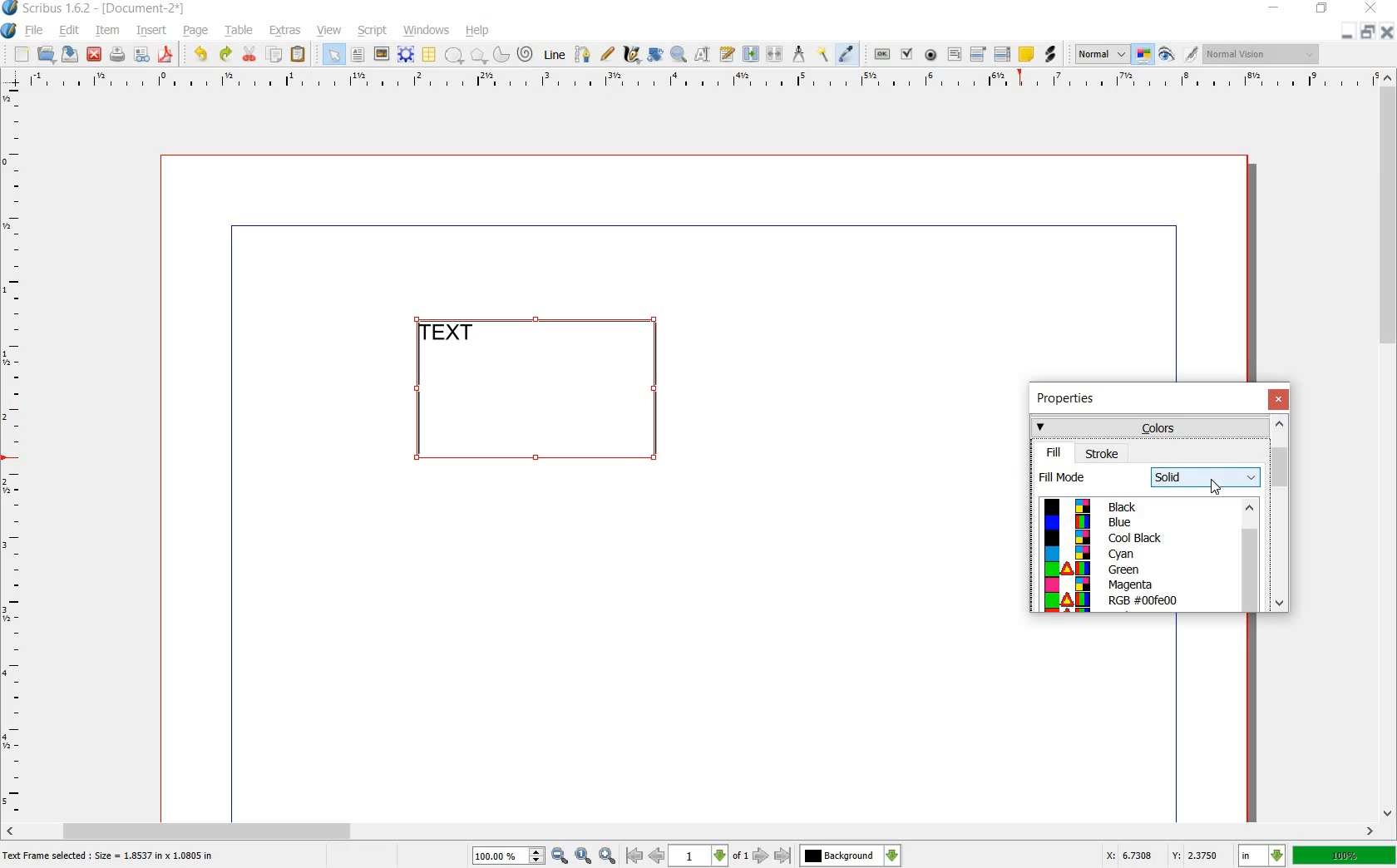 Image resolution: width=1397 pixels, height=868 pixels. Describe the element at coordinates (14, 452) in the screenshot. I see `ruler` at that location.